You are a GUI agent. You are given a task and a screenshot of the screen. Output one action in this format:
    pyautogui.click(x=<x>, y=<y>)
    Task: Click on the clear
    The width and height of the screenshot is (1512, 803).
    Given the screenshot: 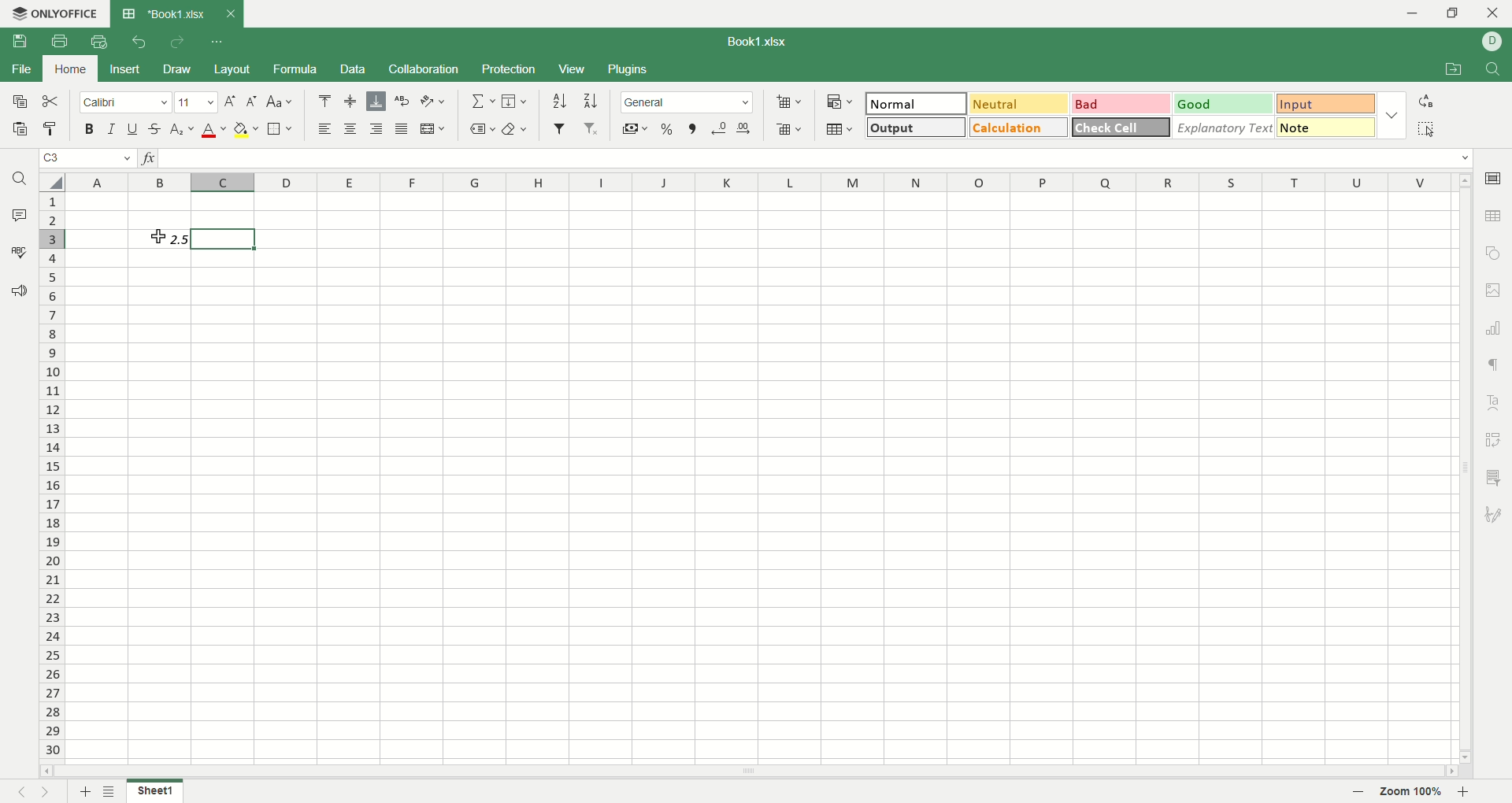 What is the action you would take?
    pyautogui.click(x=517, y=130)
    